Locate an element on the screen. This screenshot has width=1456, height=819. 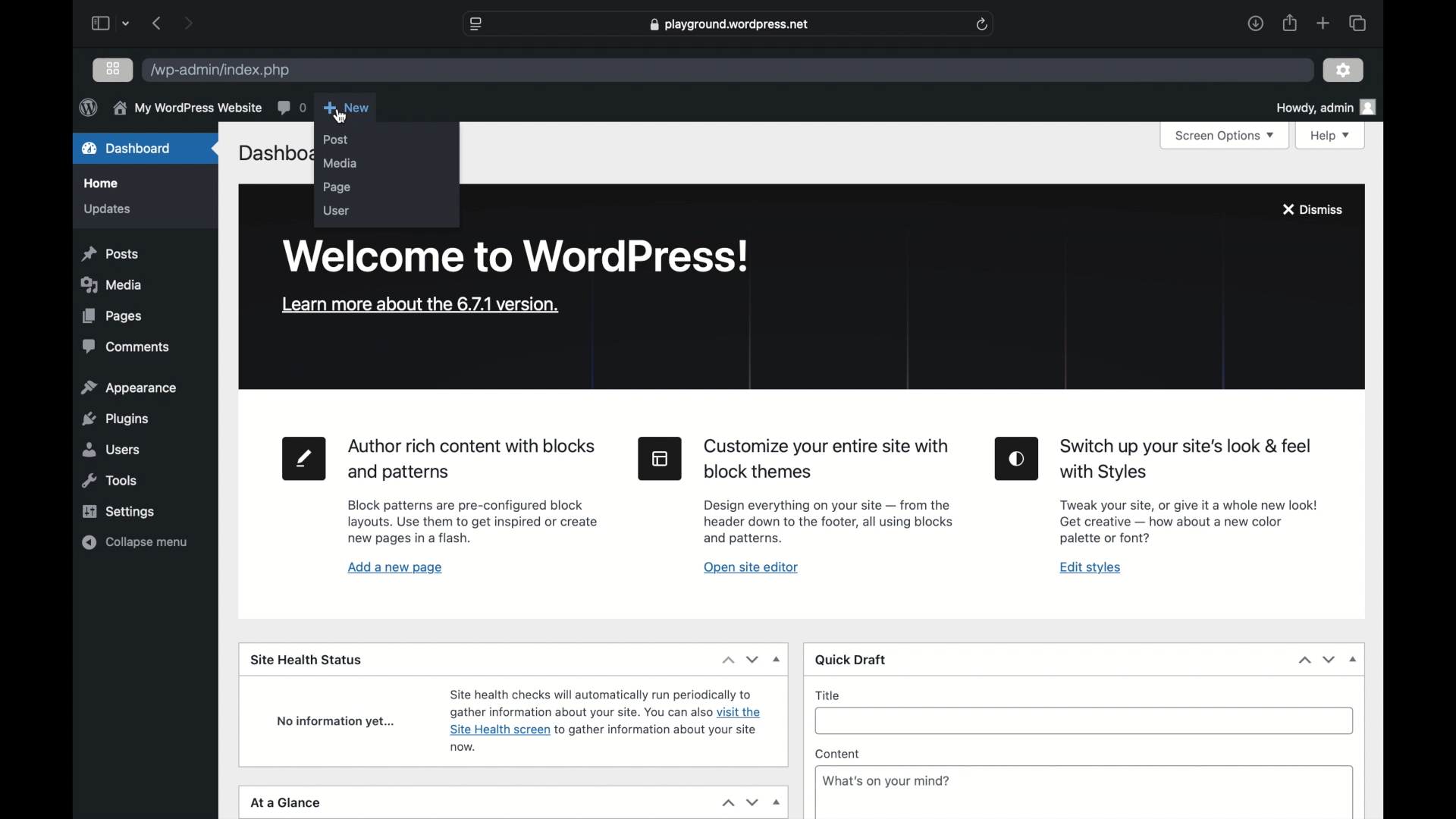
previous page is located at coordinates (158, 24).